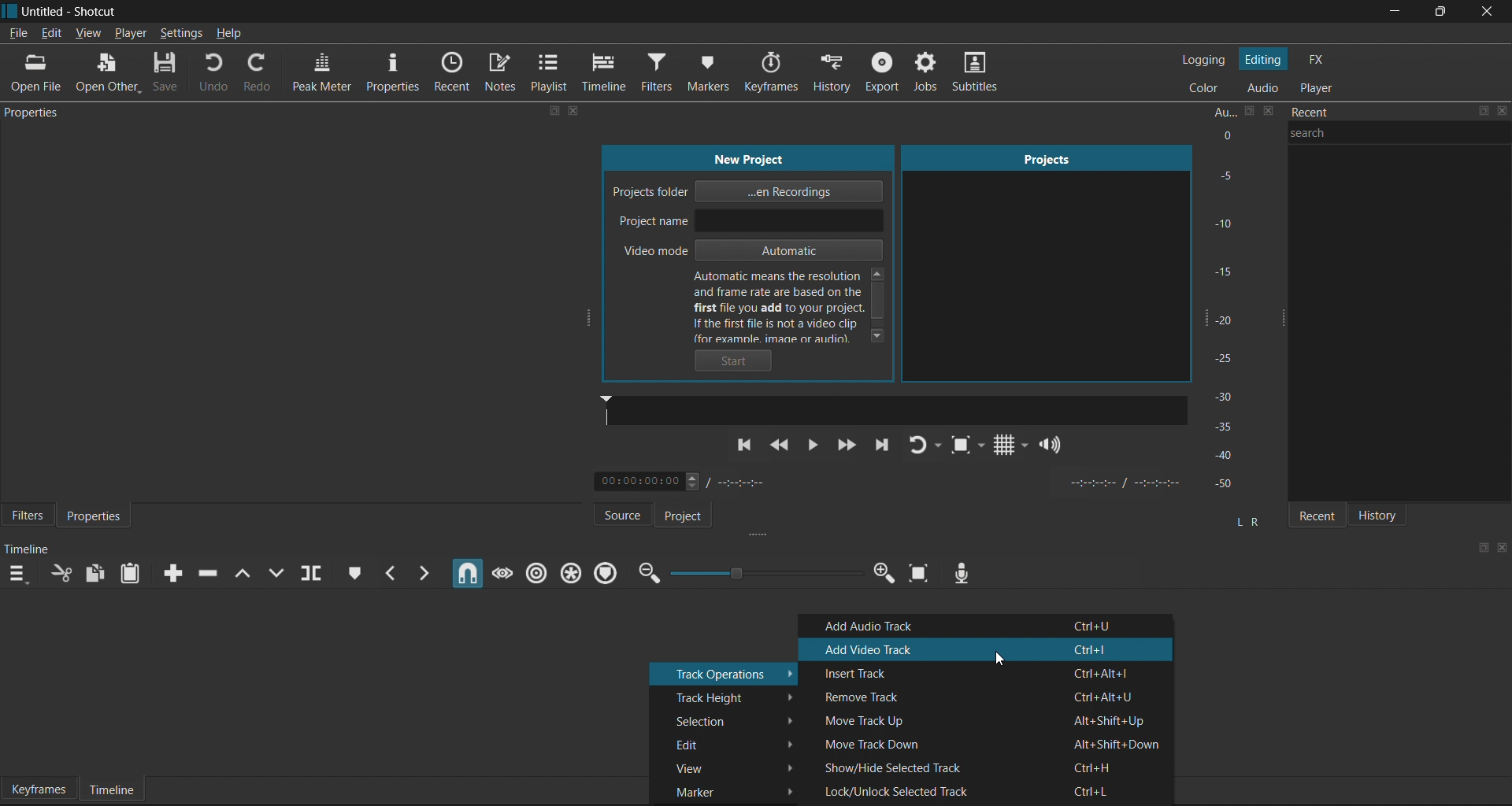  Describe the element at coordinates (1237, 300) in the screenshot. I see `Audio Peak Meter` at that location.